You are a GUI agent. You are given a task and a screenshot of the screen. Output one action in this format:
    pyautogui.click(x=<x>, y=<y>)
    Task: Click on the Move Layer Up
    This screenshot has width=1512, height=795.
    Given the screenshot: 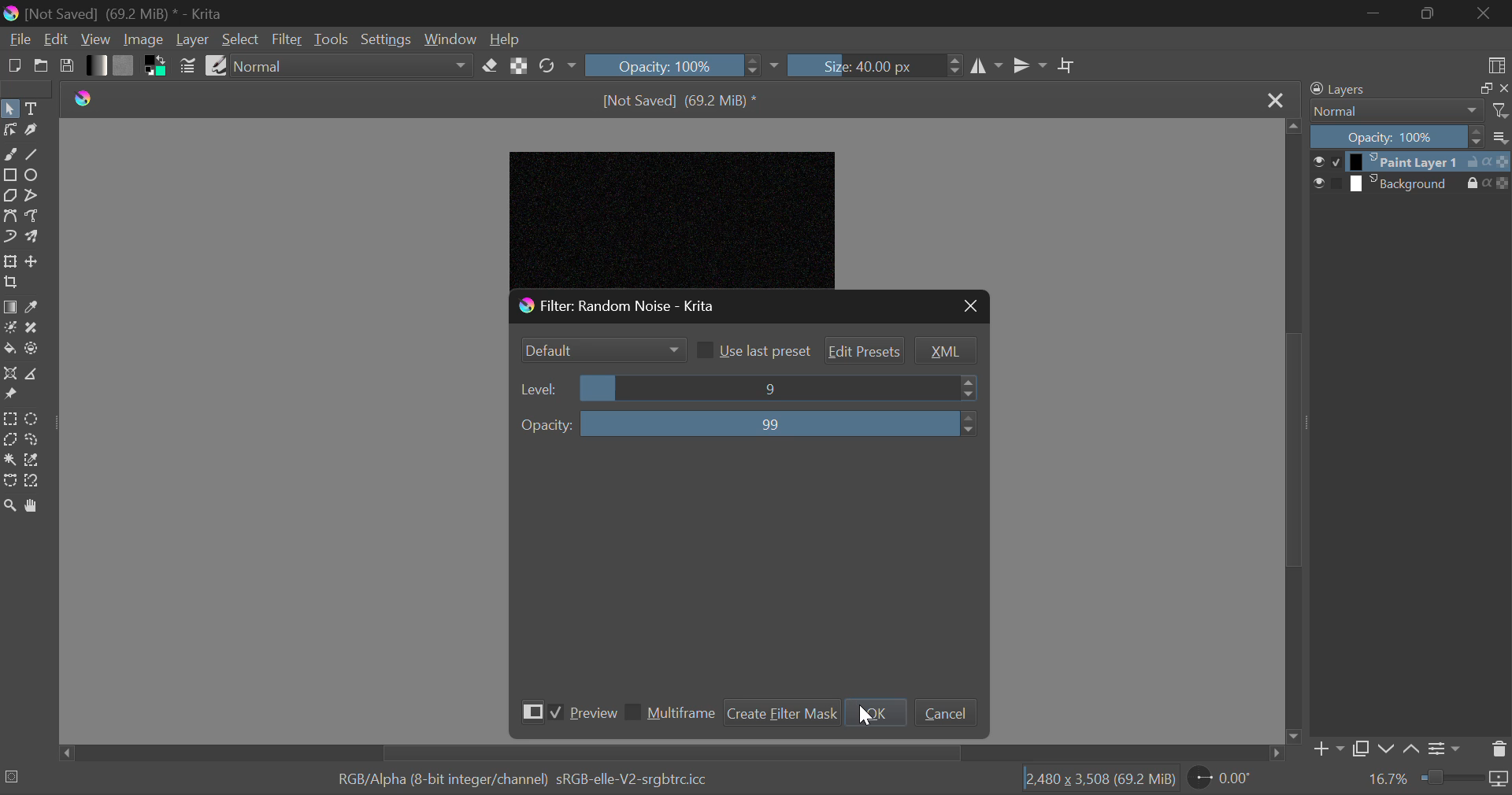 What is the action you would take?
    pyautogui.click(x=1410, y=747)
    